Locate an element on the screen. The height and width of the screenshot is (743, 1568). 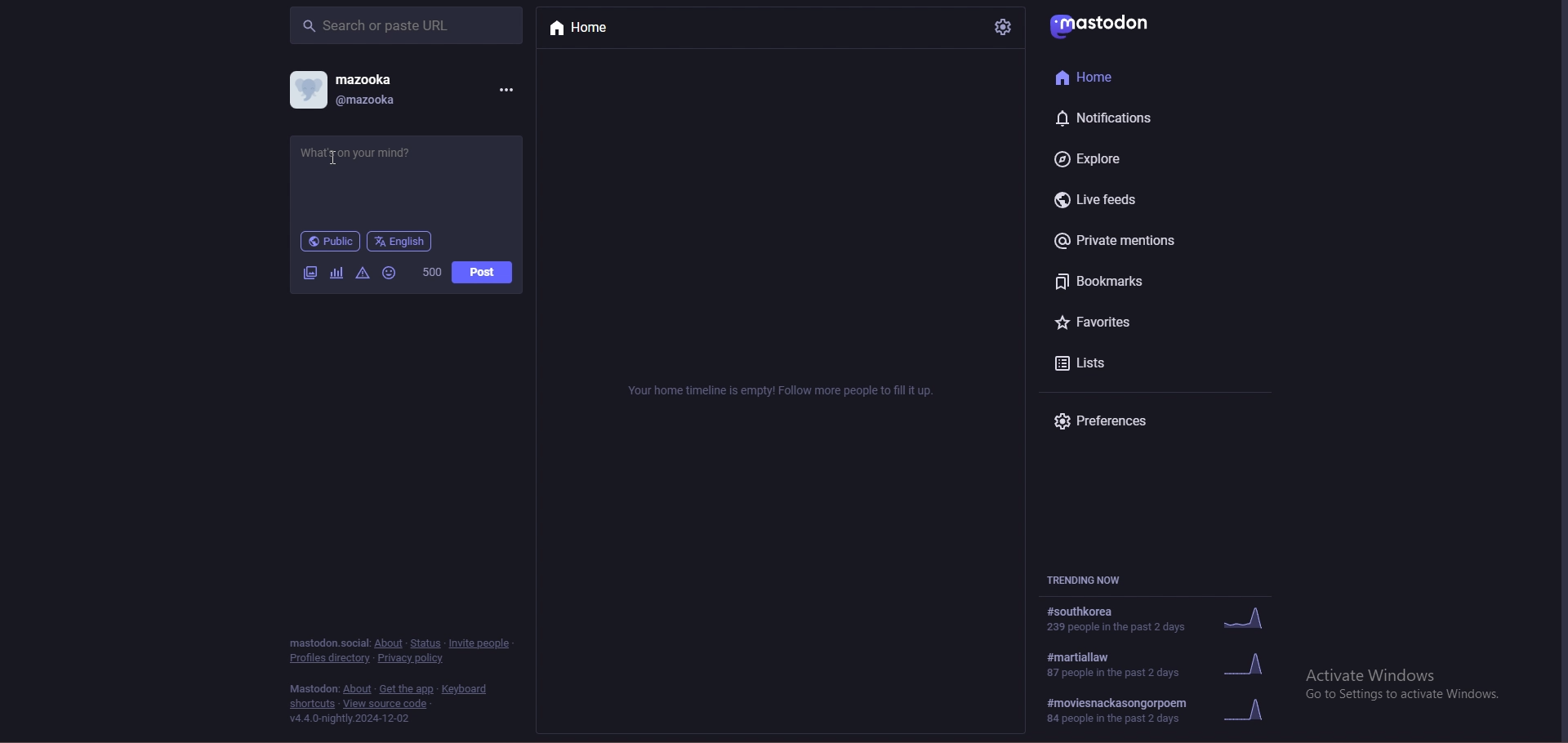
info is located at coordinates (783, 390).